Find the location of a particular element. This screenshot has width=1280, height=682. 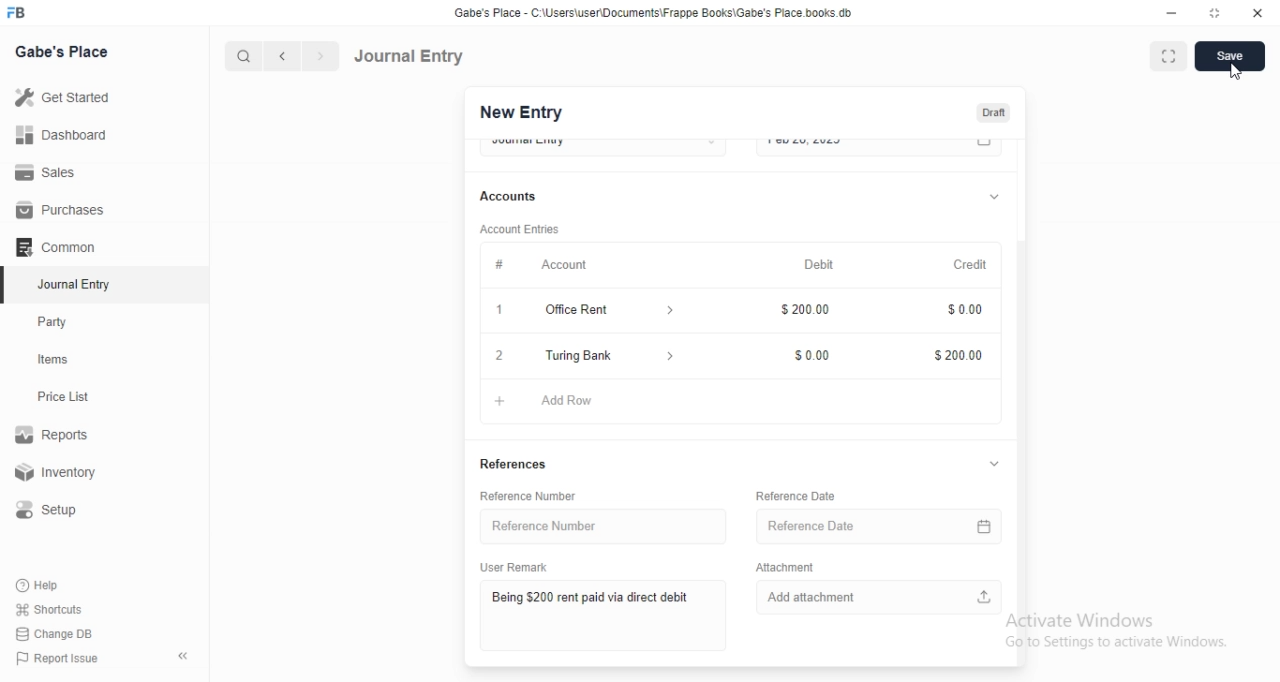

close is located at coordinates (1258, 11).